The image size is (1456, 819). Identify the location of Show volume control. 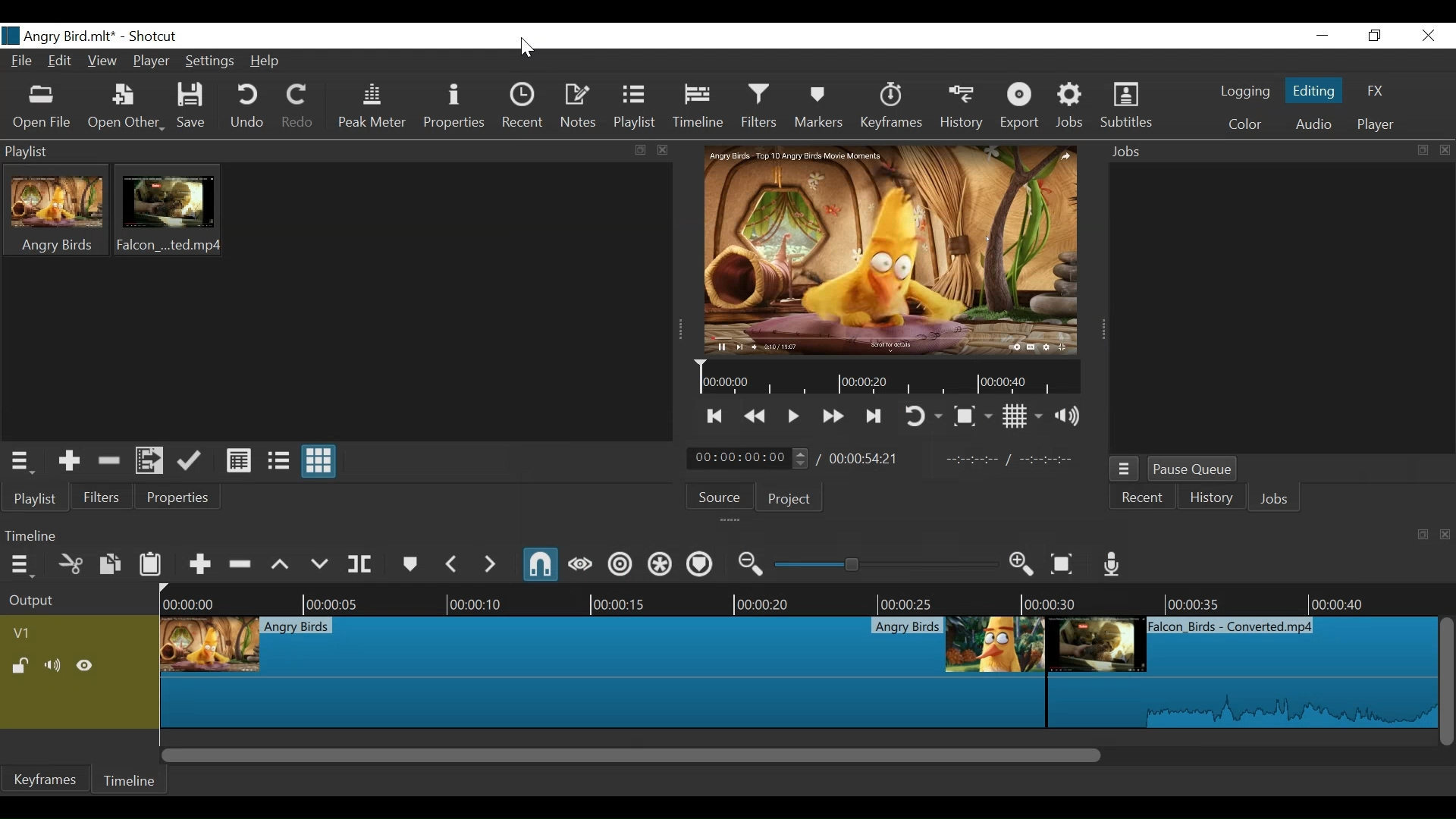
(1067, 415).